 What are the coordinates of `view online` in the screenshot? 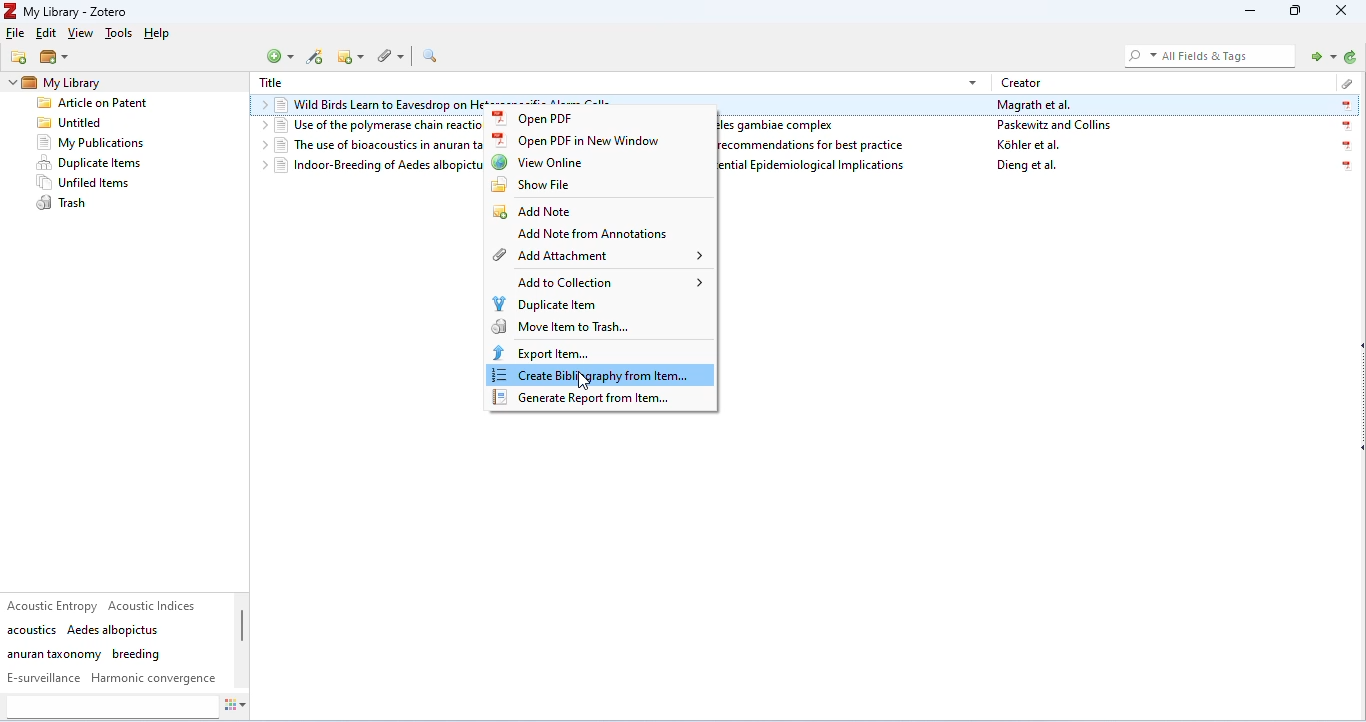 It's located at (539, 162).